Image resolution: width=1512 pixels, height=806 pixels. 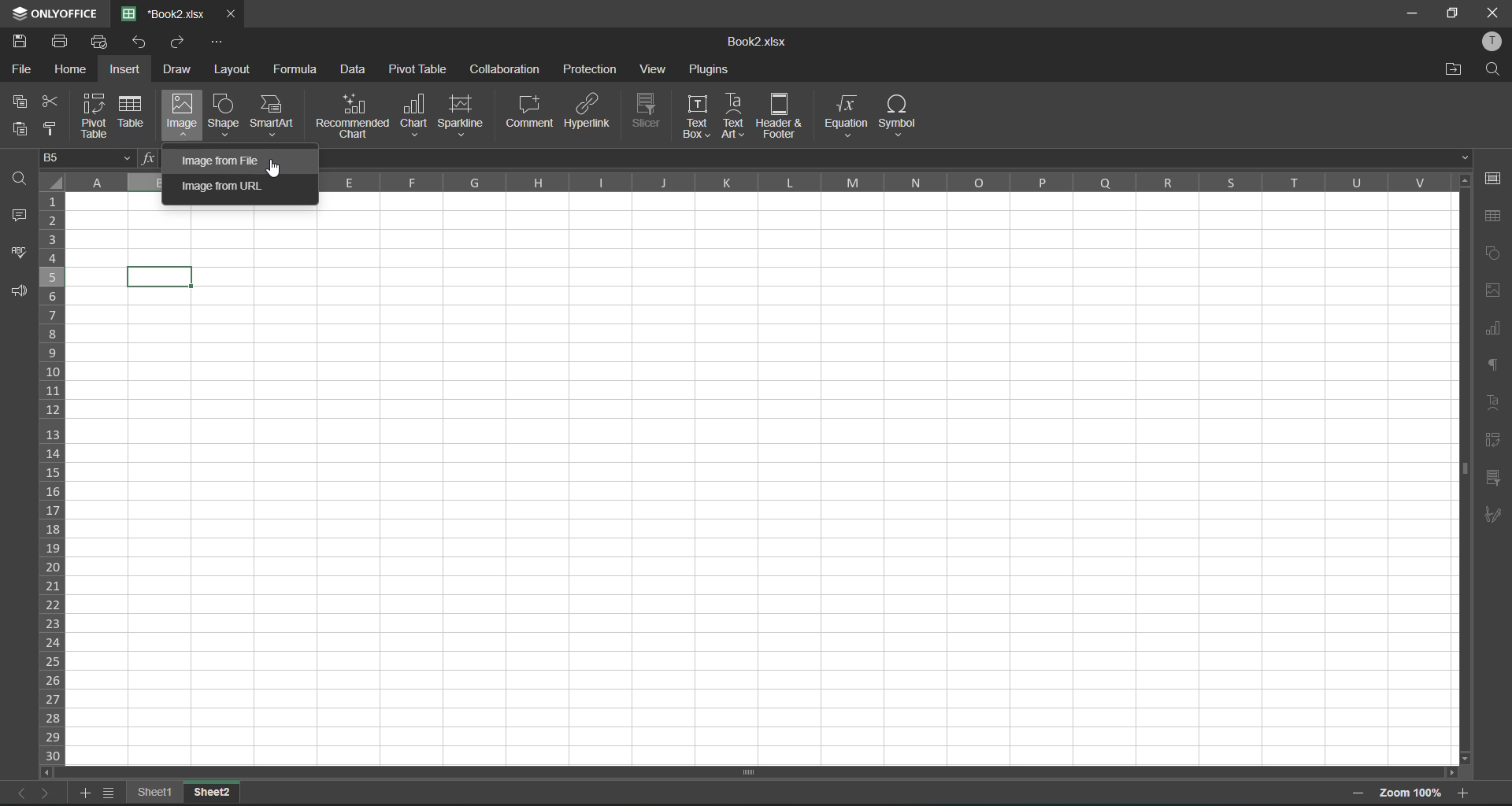 I want to click on sheet2, so click(x=213, y=790).